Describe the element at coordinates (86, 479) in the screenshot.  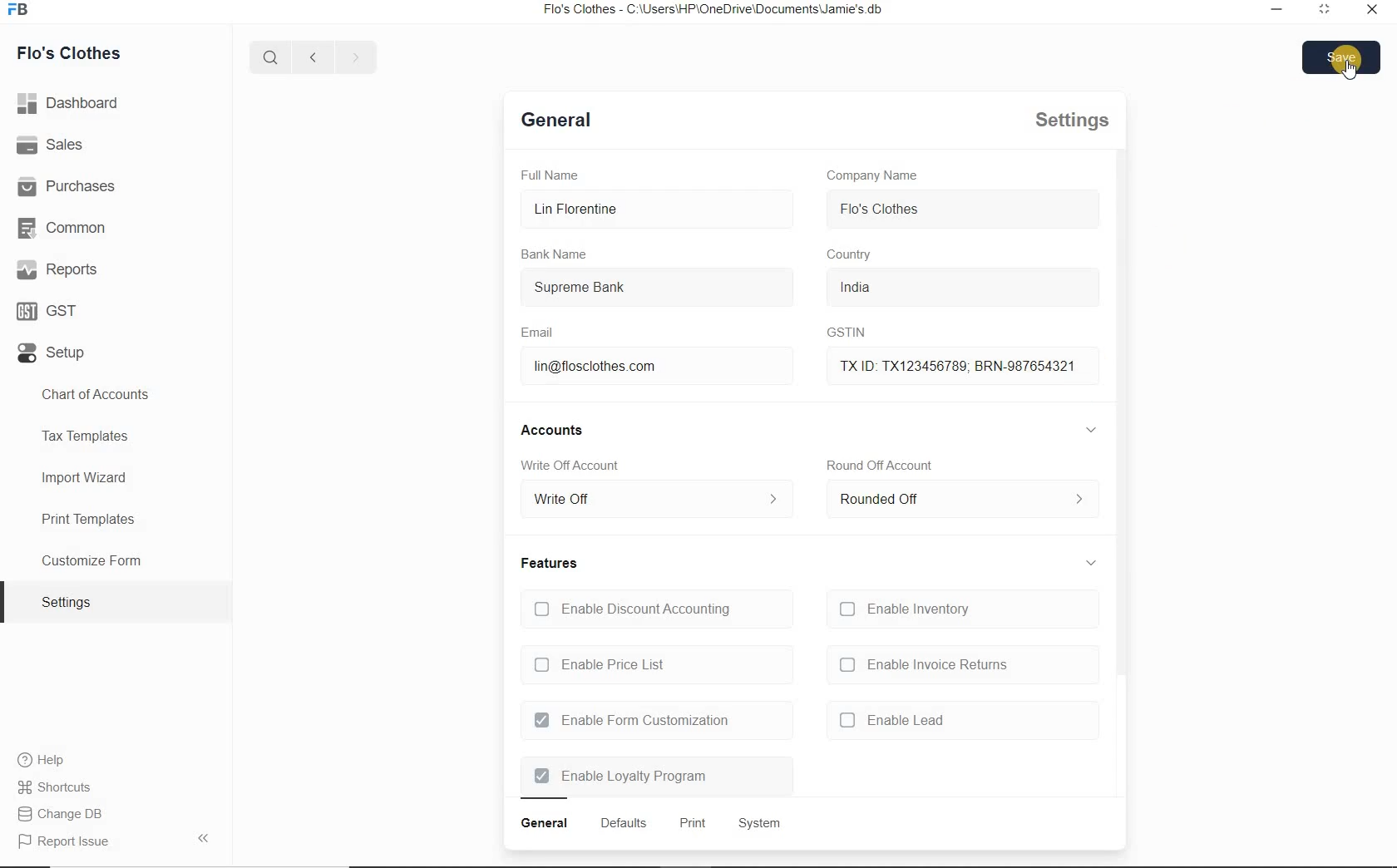
I see `Import Wizard` at that location.